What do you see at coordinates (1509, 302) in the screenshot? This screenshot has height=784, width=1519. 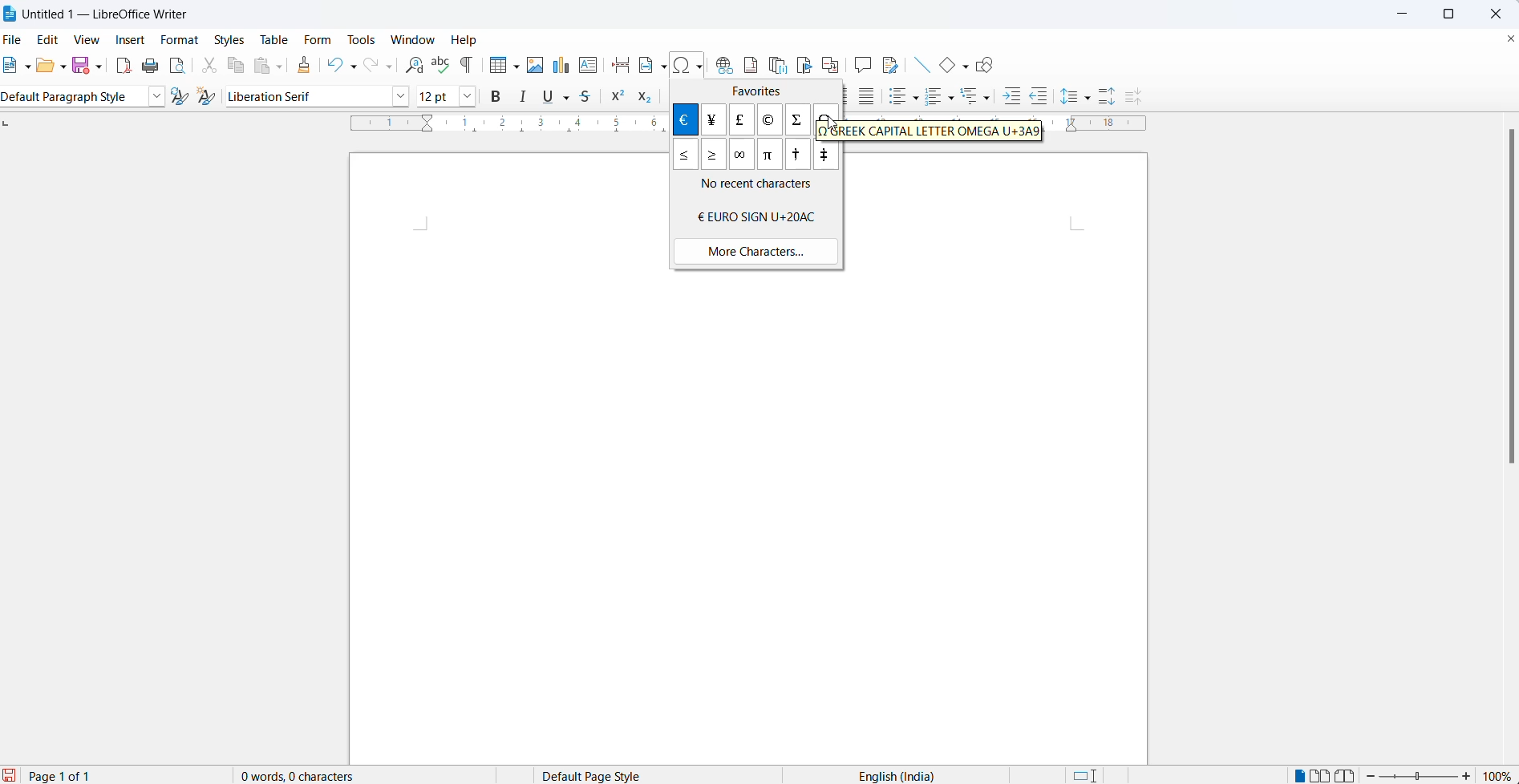 I see `scroll bar` at bounding box center [1509, 302].